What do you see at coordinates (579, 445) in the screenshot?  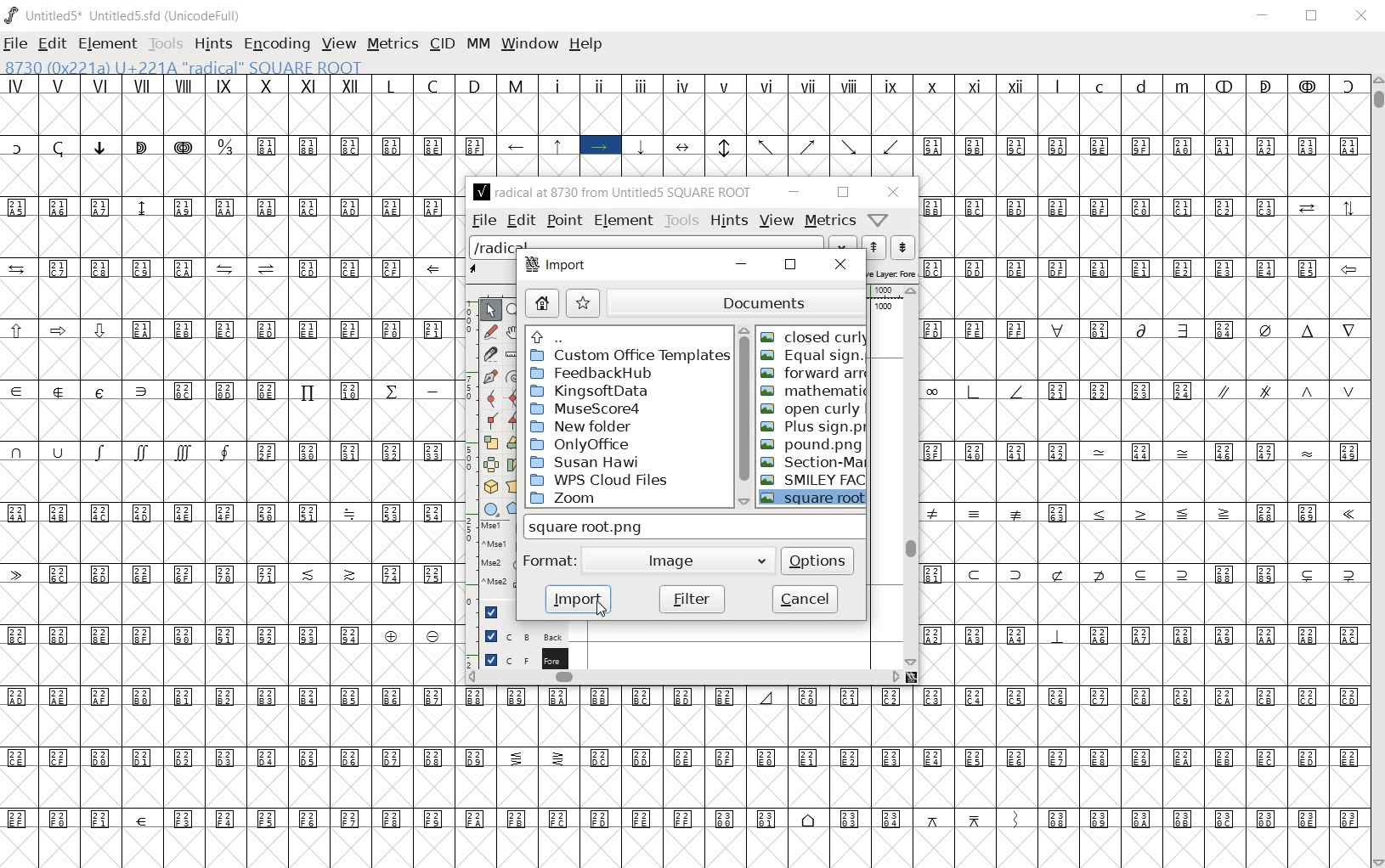 I see `OnlyOffice` at bounding box center [579, 445].